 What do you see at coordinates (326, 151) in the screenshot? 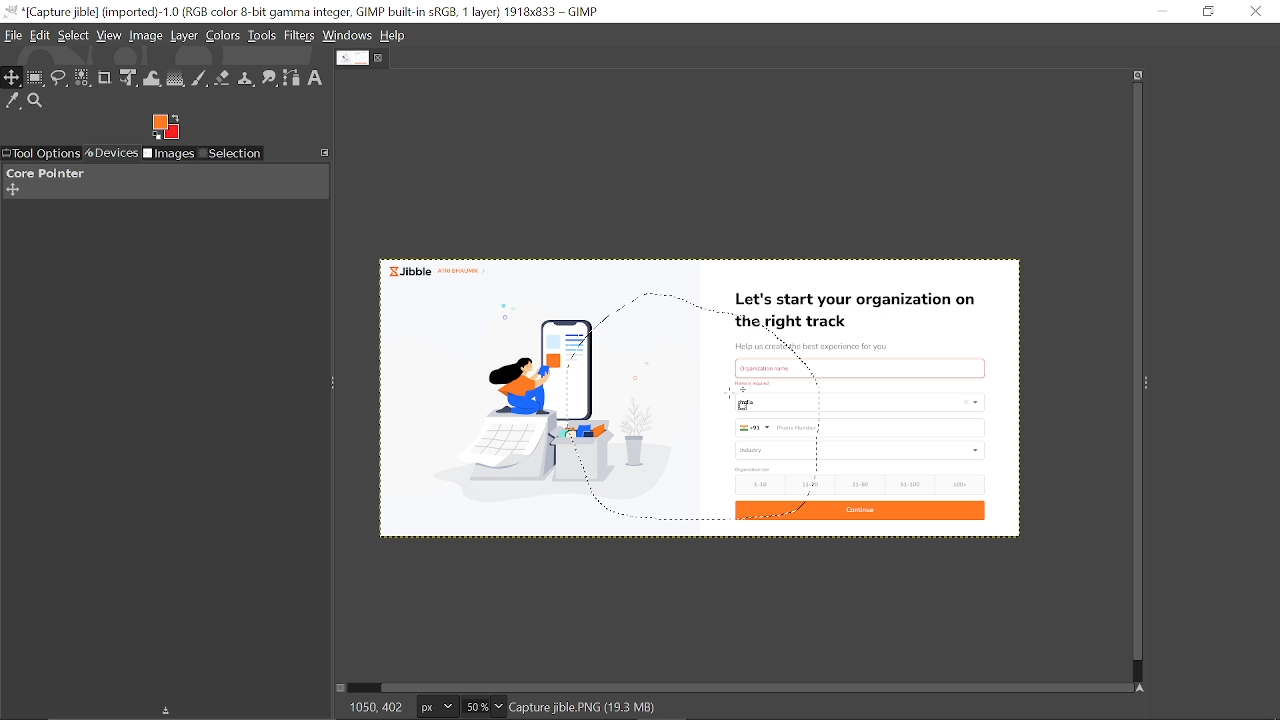
I see `Configure this tab` at bounding box center [326, 151].